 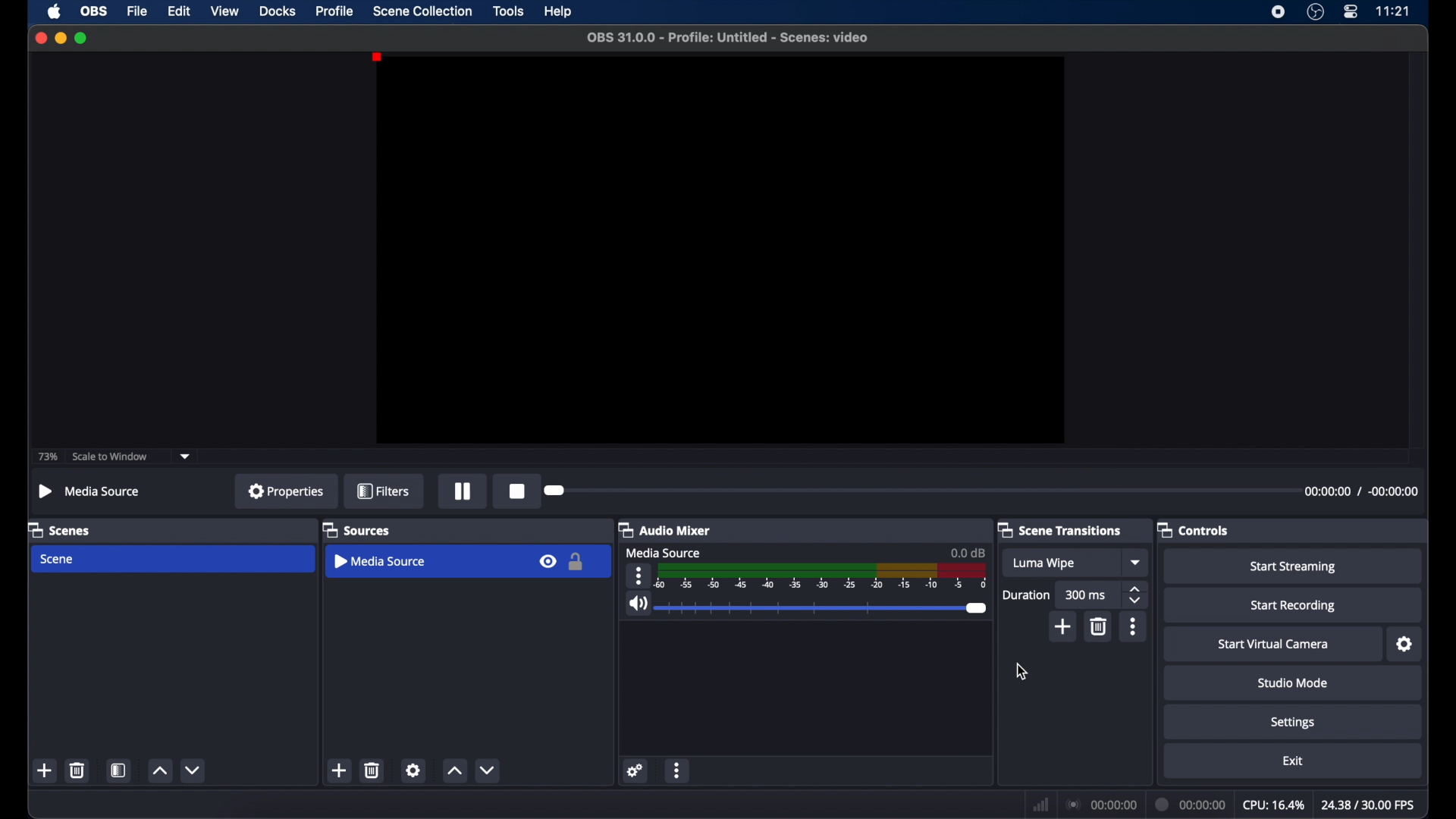 What do you see at coordinates (1278, 11) in the screenshot?
I see `screen recorder icon` at bounding box center [1278, 11].